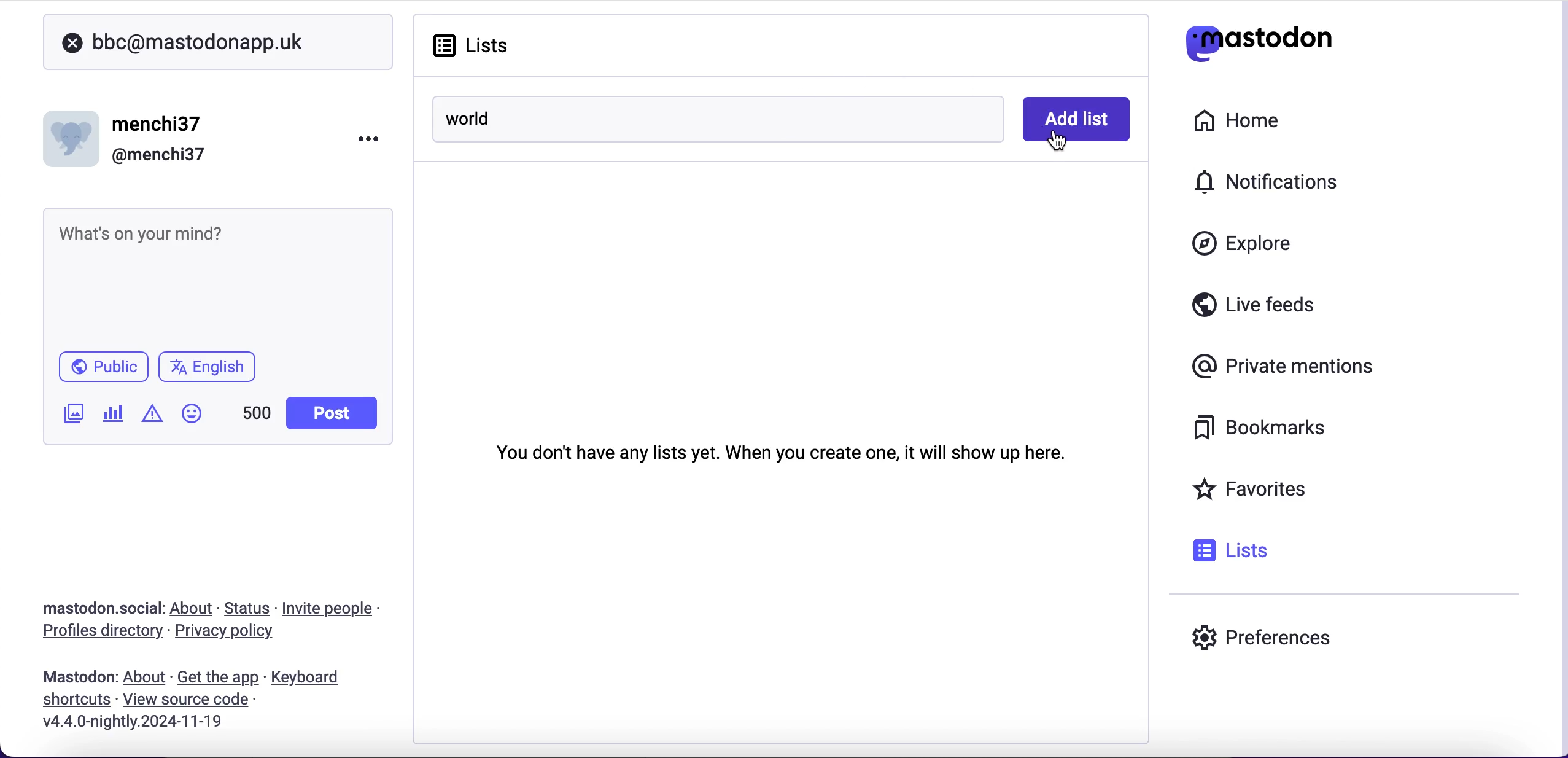  I want to click on characters, so click(257, 415).